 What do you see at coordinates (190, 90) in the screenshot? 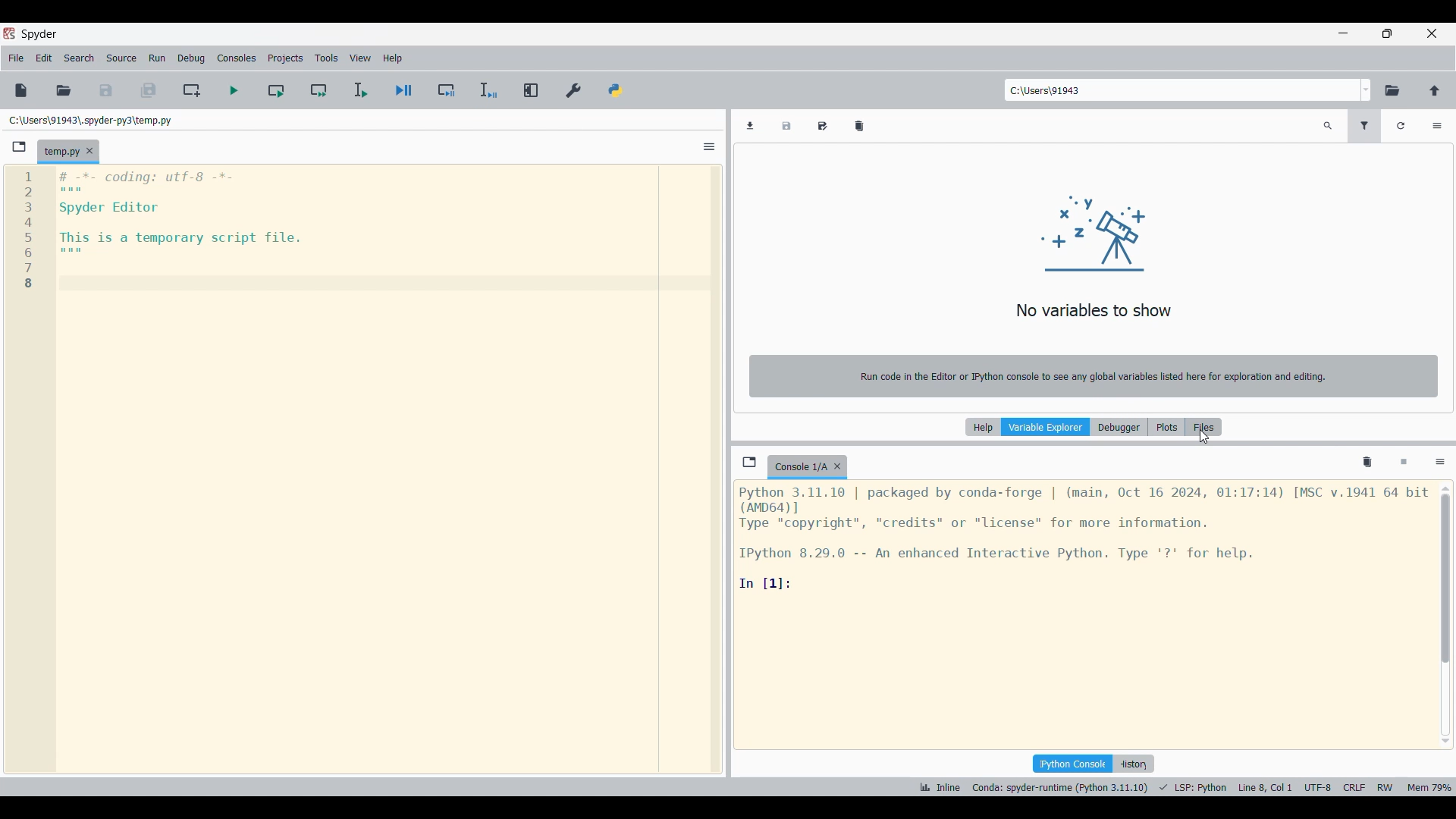
I see `Create new cell at current line` at bounding box center [190, 90].